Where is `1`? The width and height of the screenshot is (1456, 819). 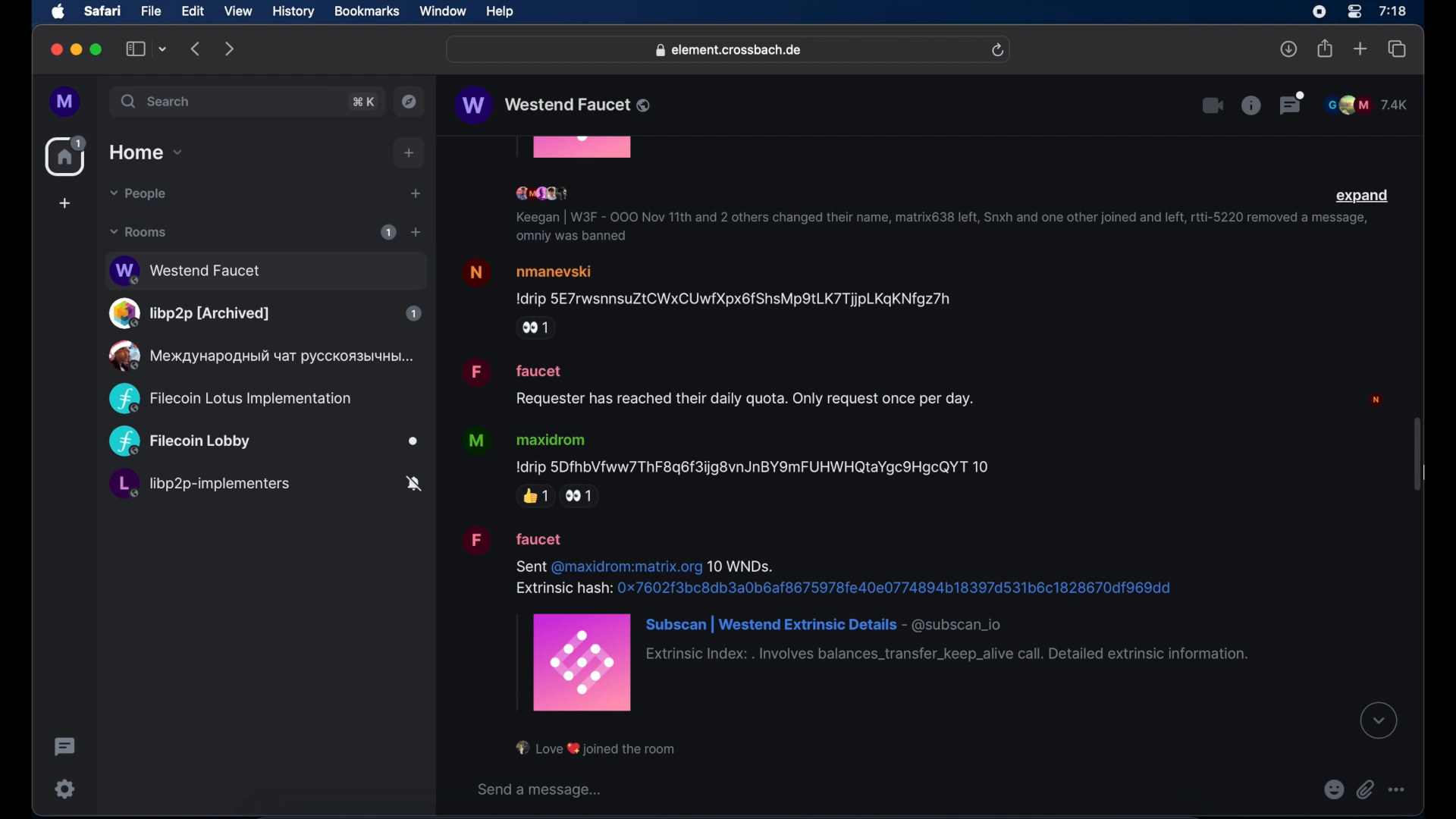 1 is located at coordinates (388, 232).